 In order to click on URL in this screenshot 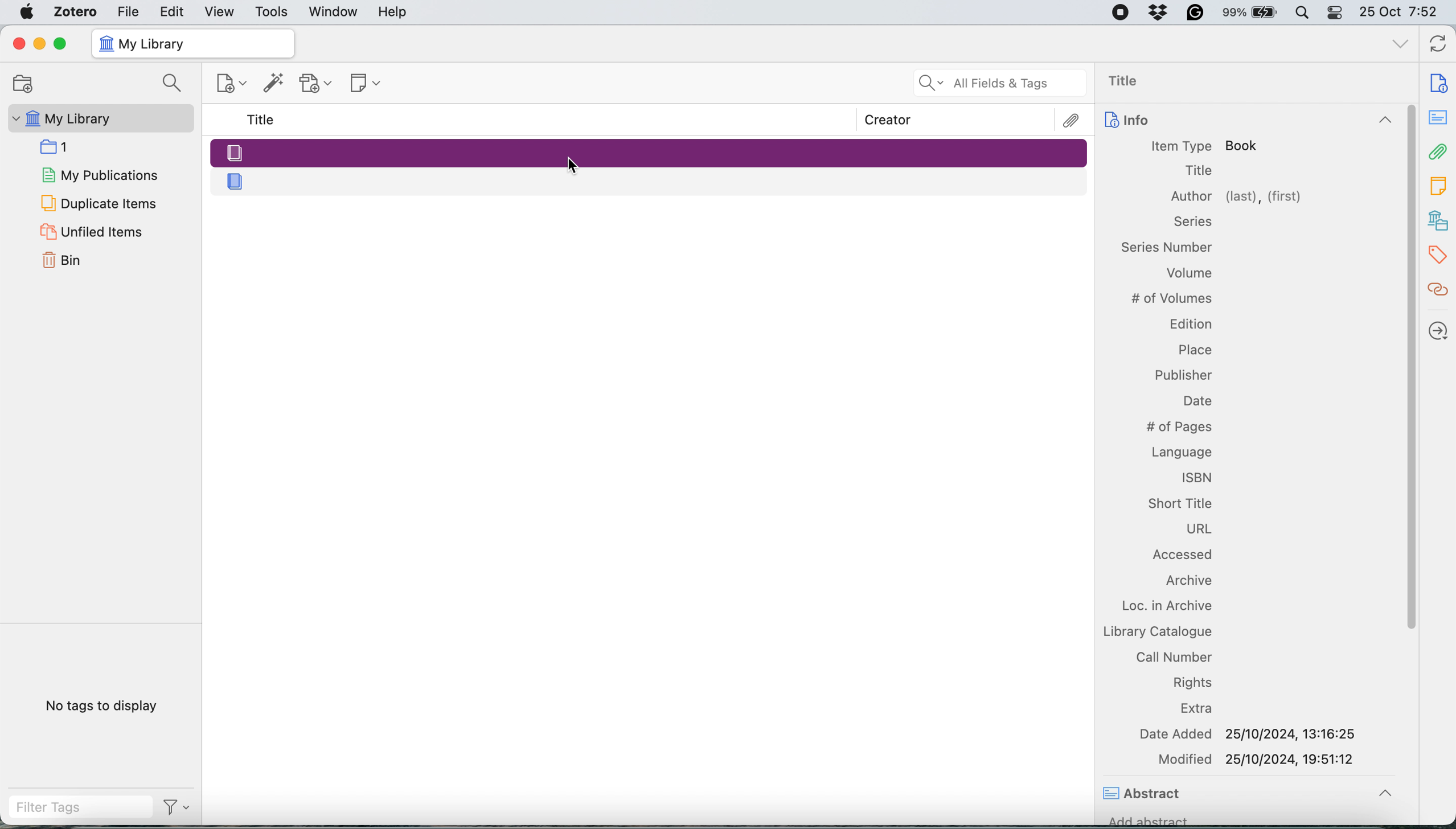, I will do `click(1199, 530)`.